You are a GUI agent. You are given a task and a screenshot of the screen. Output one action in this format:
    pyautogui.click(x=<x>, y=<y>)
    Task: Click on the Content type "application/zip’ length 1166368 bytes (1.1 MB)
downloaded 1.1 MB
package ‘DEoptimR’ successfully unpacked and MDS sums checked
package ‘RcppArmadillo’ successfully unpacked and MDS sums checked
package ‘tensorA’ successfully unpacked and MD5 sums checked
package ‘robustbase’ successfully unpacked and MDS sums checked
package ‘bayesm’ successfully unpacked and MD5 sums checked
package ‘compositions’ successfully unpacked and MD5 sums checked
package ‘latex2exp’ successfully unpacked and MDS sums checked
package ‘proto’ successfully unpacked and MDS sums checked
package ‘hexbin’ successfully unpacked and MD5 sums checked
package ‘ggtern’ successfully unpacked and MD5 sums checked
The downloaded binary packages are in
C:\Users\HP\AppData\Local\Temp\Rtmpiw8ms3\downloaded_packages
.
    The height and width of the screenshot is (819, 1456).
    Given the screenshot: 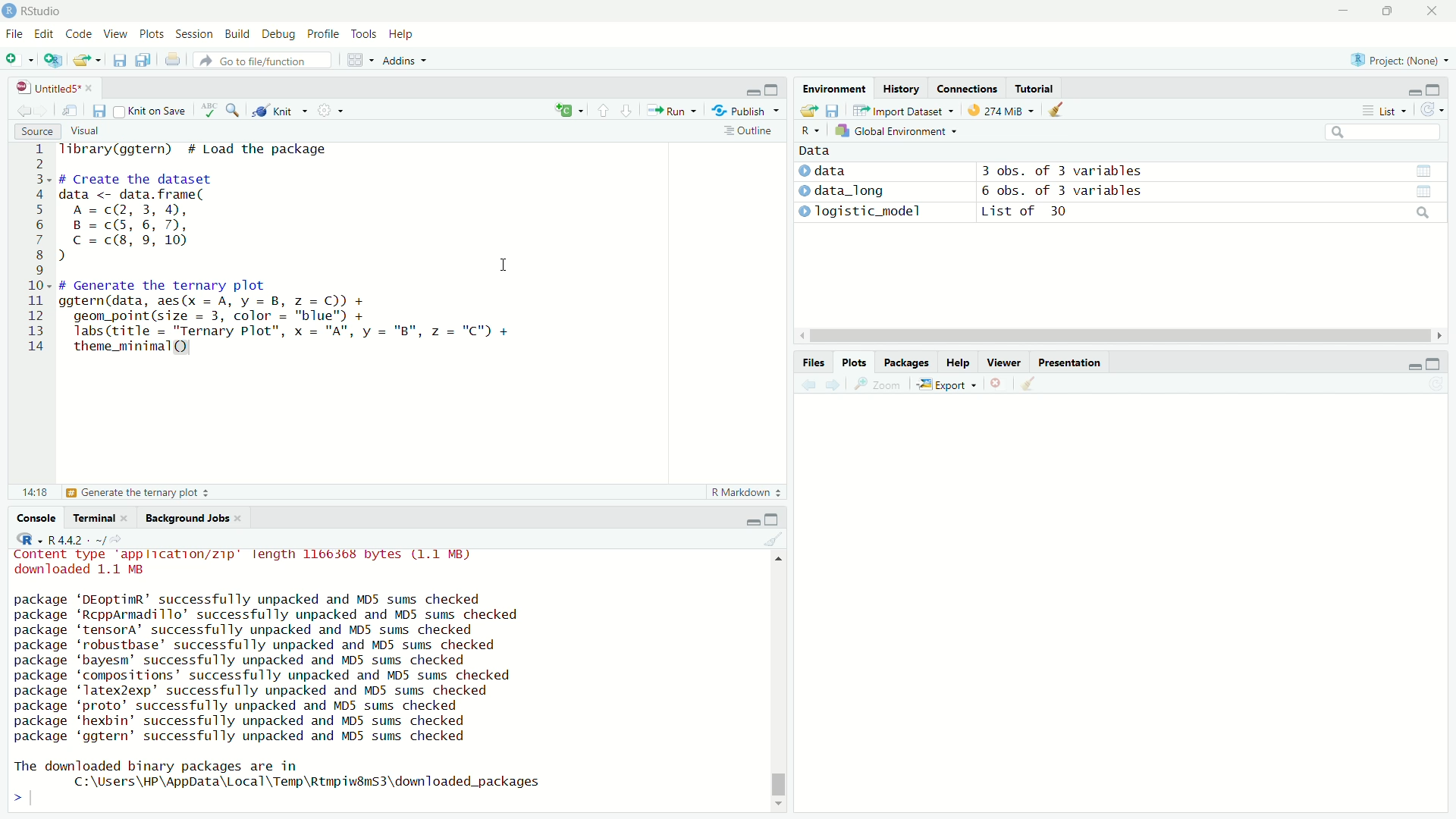 What is the action you would take?
    pyautogui.click(x=291, y=674)
    